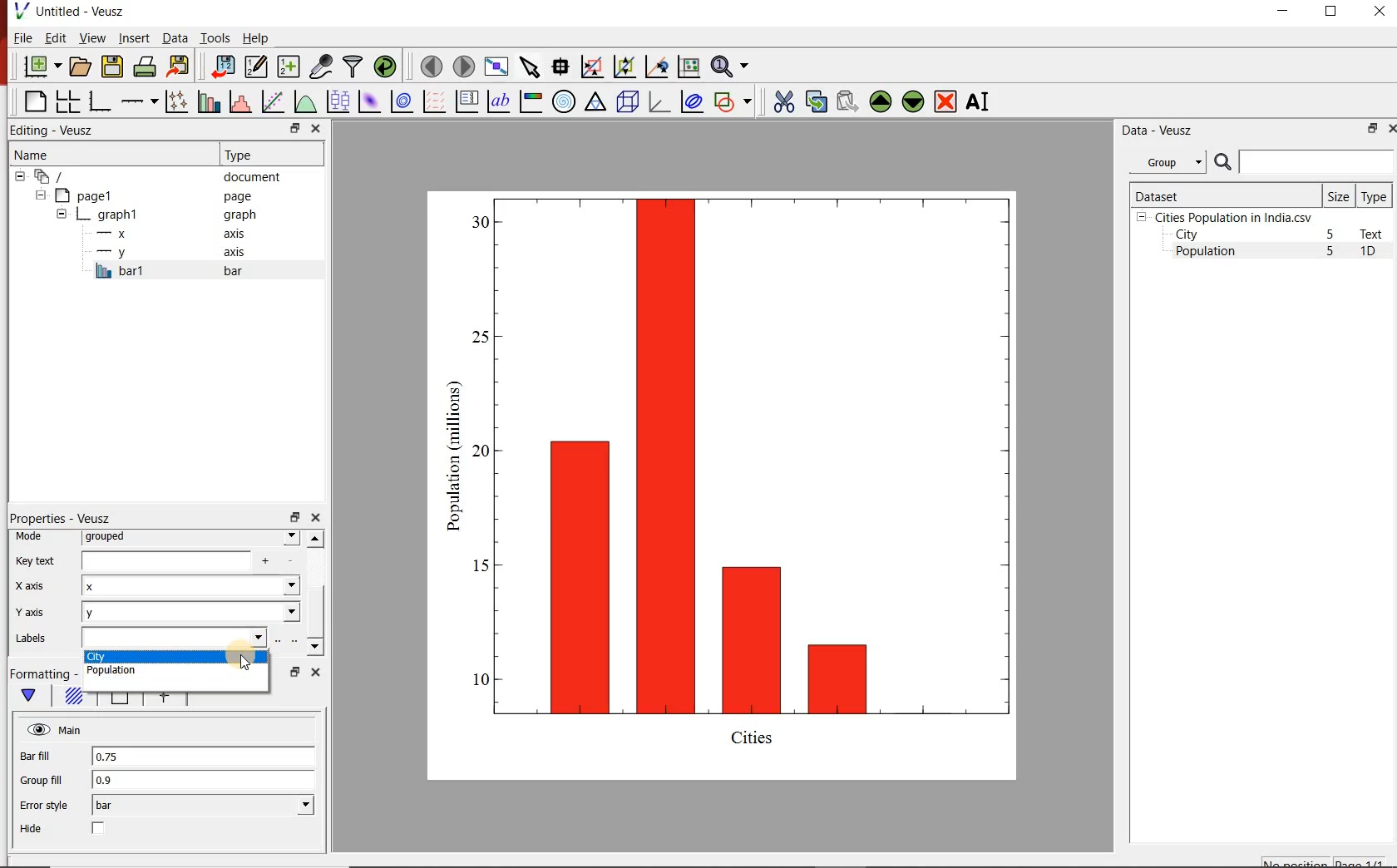 The height and width of the screenshot is (868, 1397). I want to click on Properties - Veusz, so click(60, 518).